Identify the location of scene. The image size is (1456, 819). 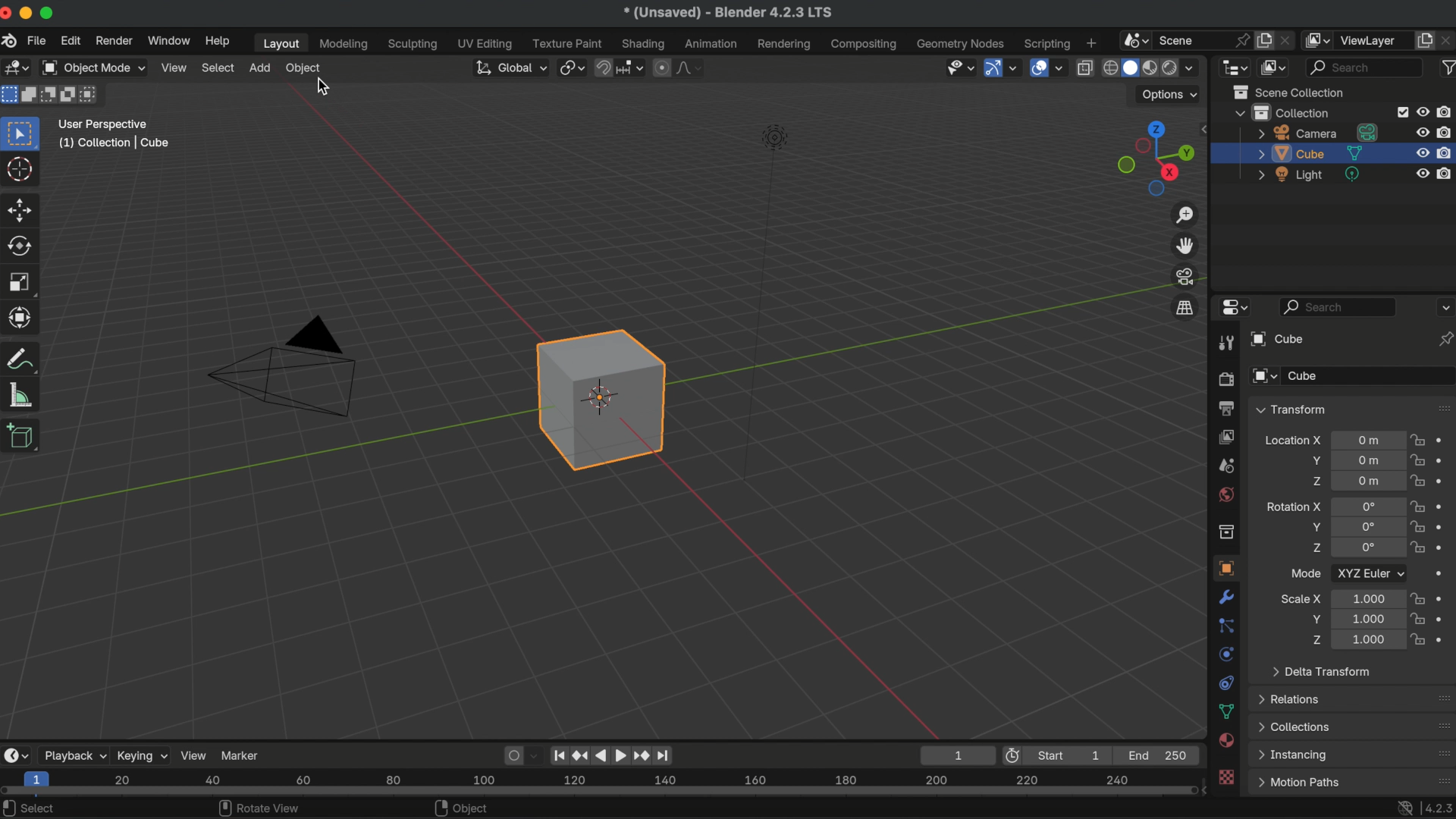
(1225, 466).